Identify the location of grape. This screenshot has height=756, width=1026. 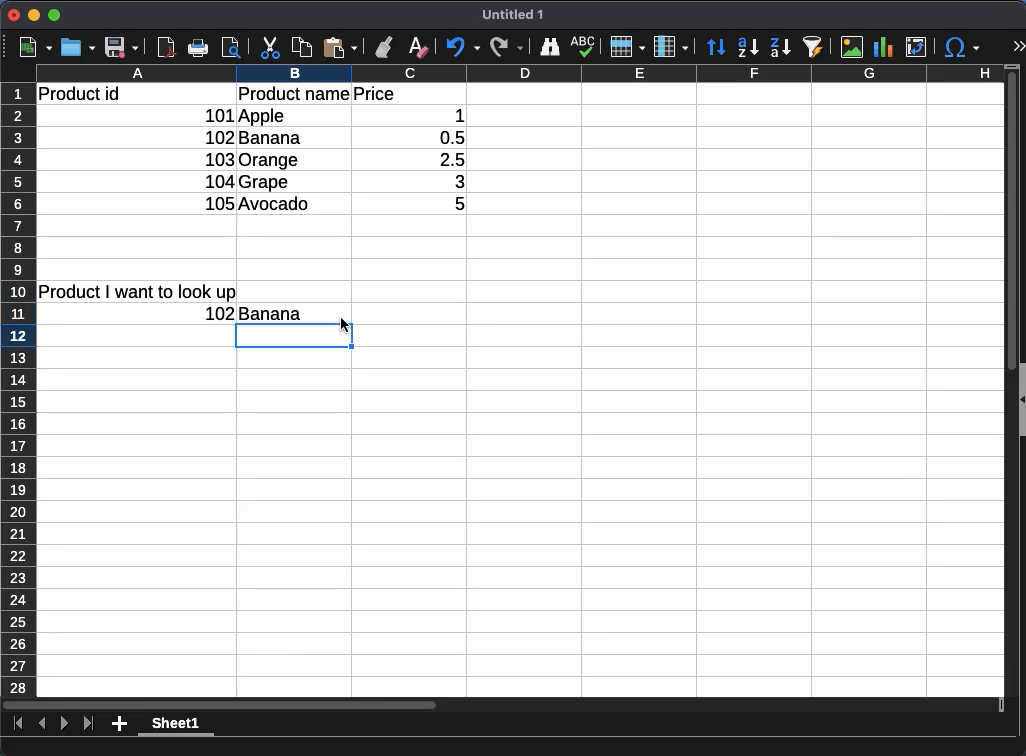
(265, 183).